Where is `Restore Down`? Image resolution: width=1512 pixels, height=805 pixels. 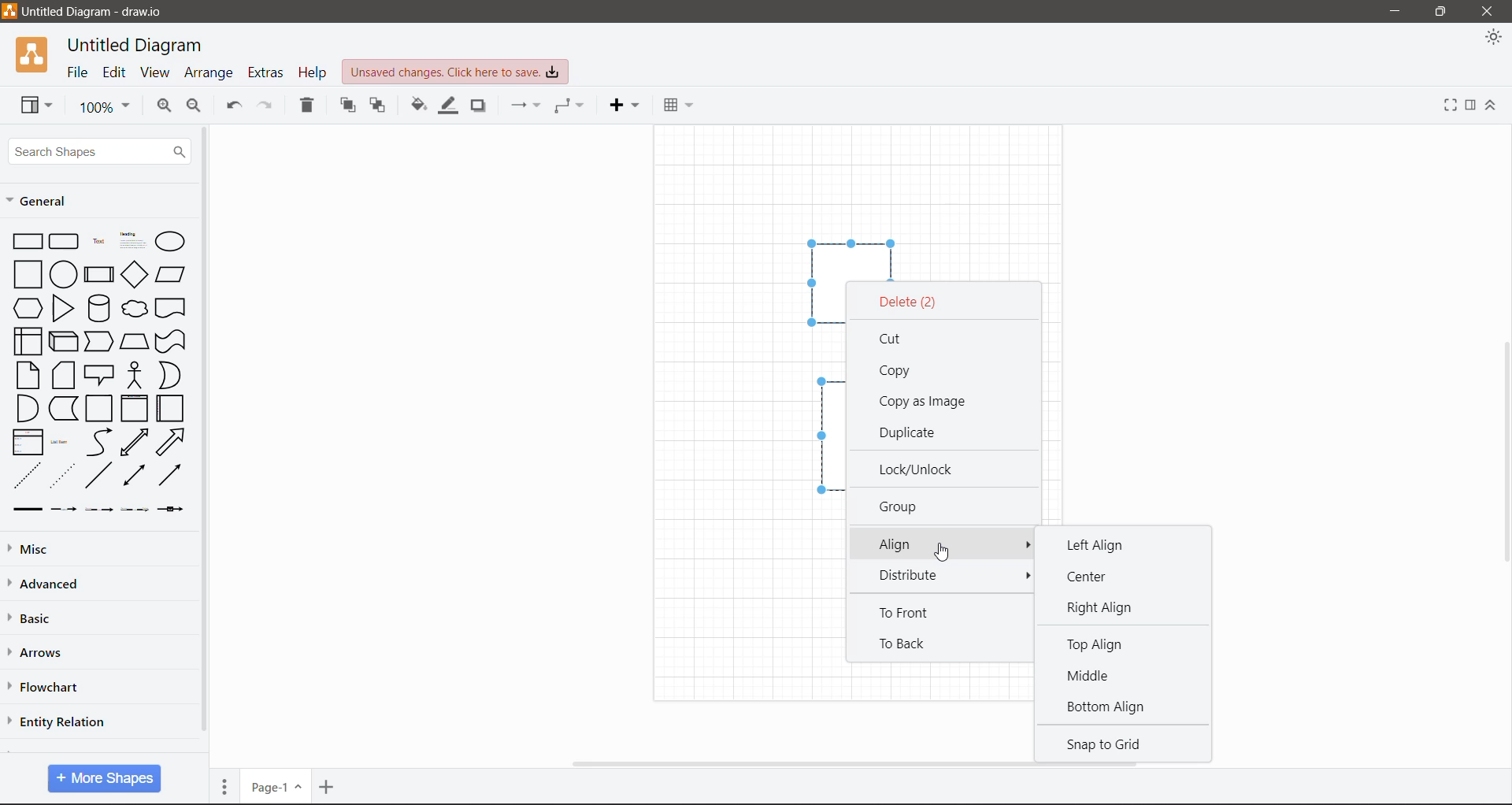
Restore Down is located at coordinates (1441, 12).